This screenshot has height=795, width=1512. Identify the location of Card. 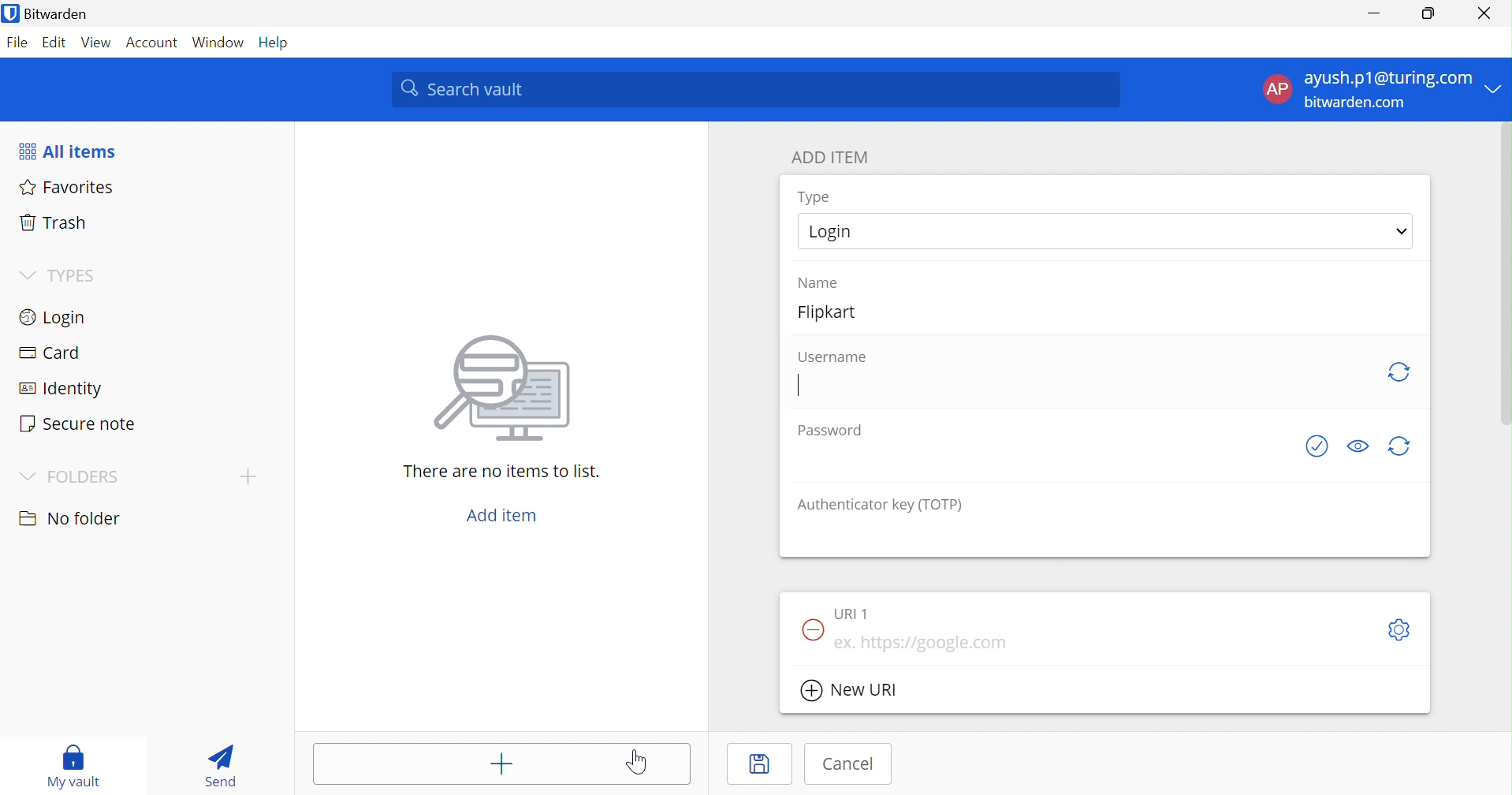
(53, 353).